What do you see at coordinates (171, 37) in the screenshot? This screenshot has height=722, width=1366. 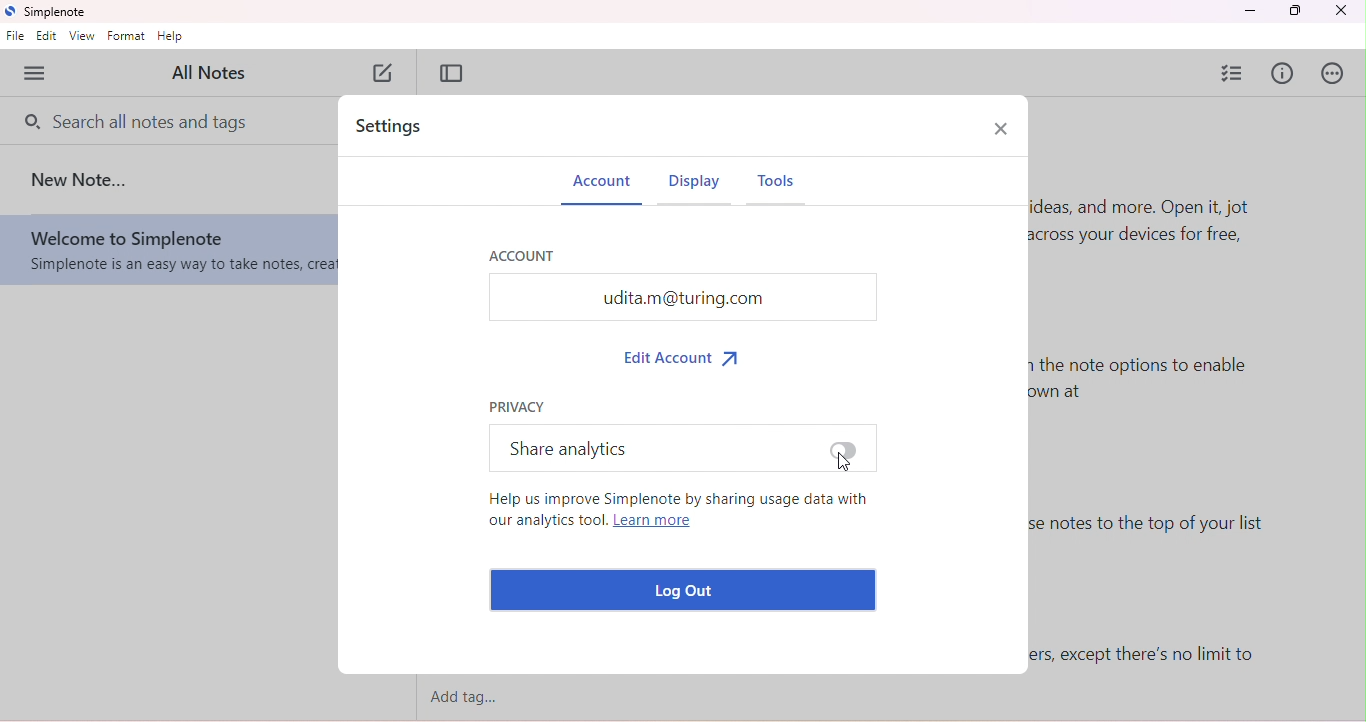 I see `help` at bounding box center [171, 37].